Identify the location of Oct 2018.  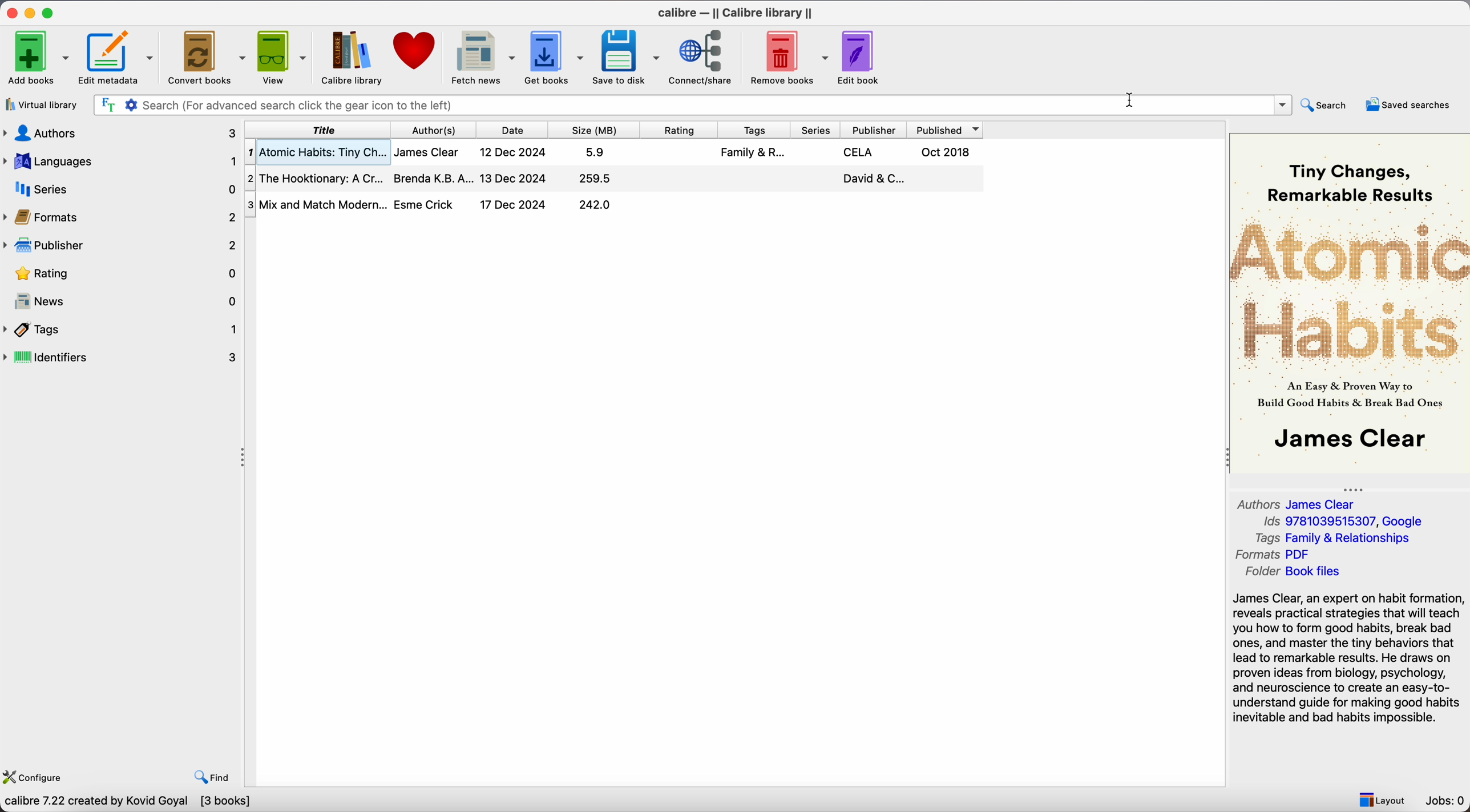
(947, 151).